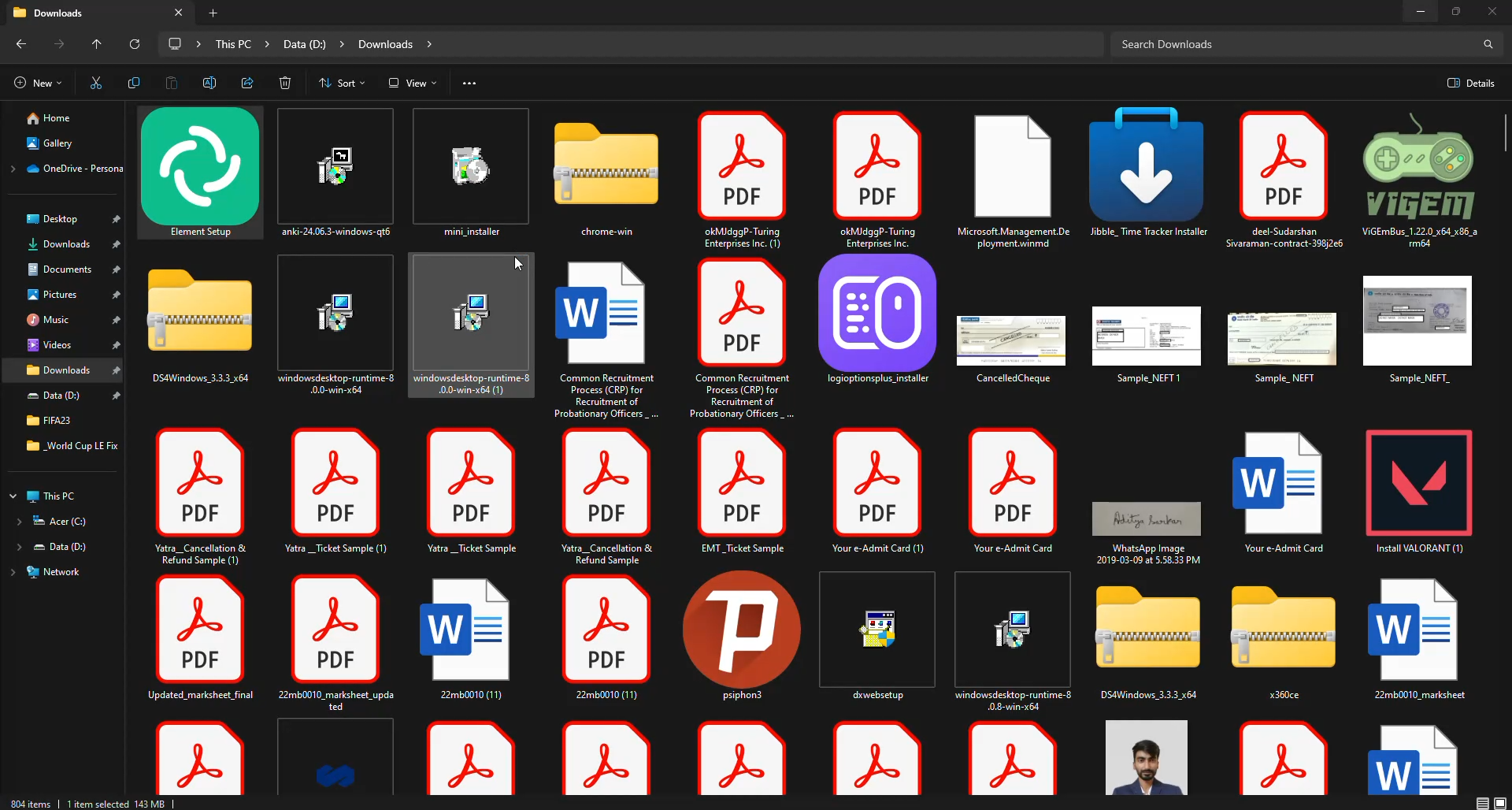 Image resolution: width=1512 pixels, height=810 pixels. I want to click on file, so click(478, 643).